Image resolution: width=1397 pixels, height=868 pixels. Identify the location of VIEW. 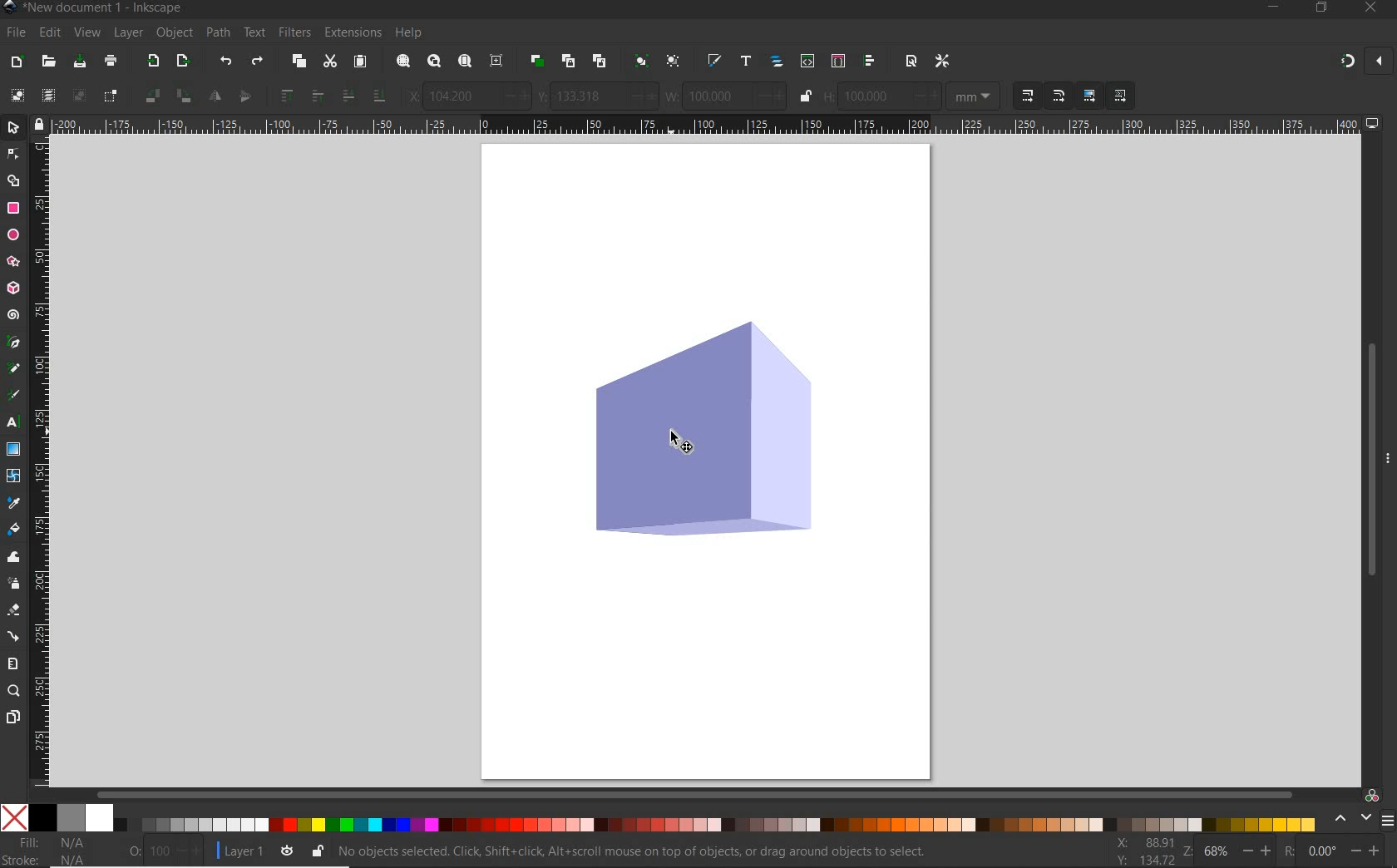
(86, 34).